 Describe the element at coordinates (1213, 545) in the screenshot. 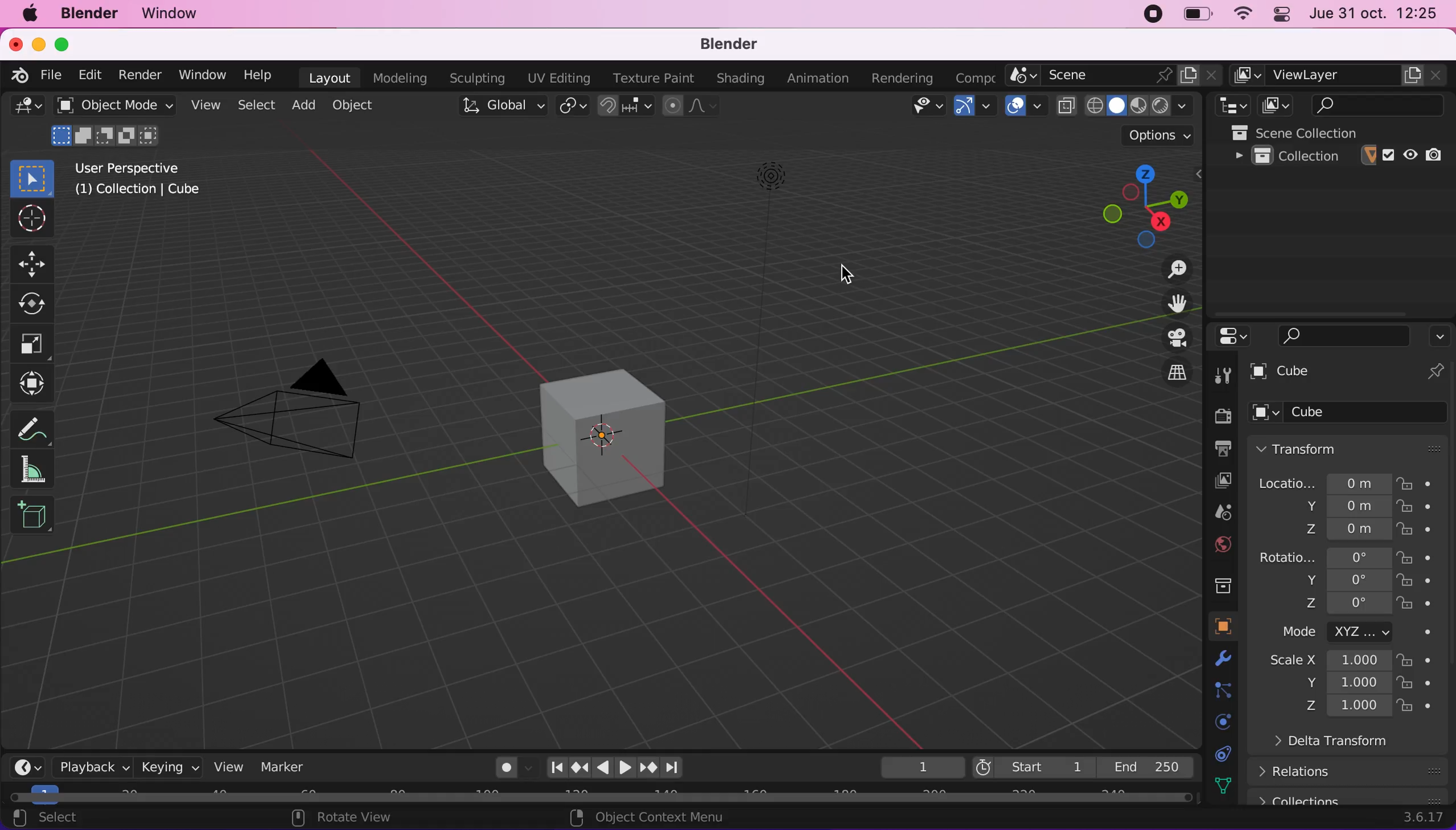

I see `world` at that location.